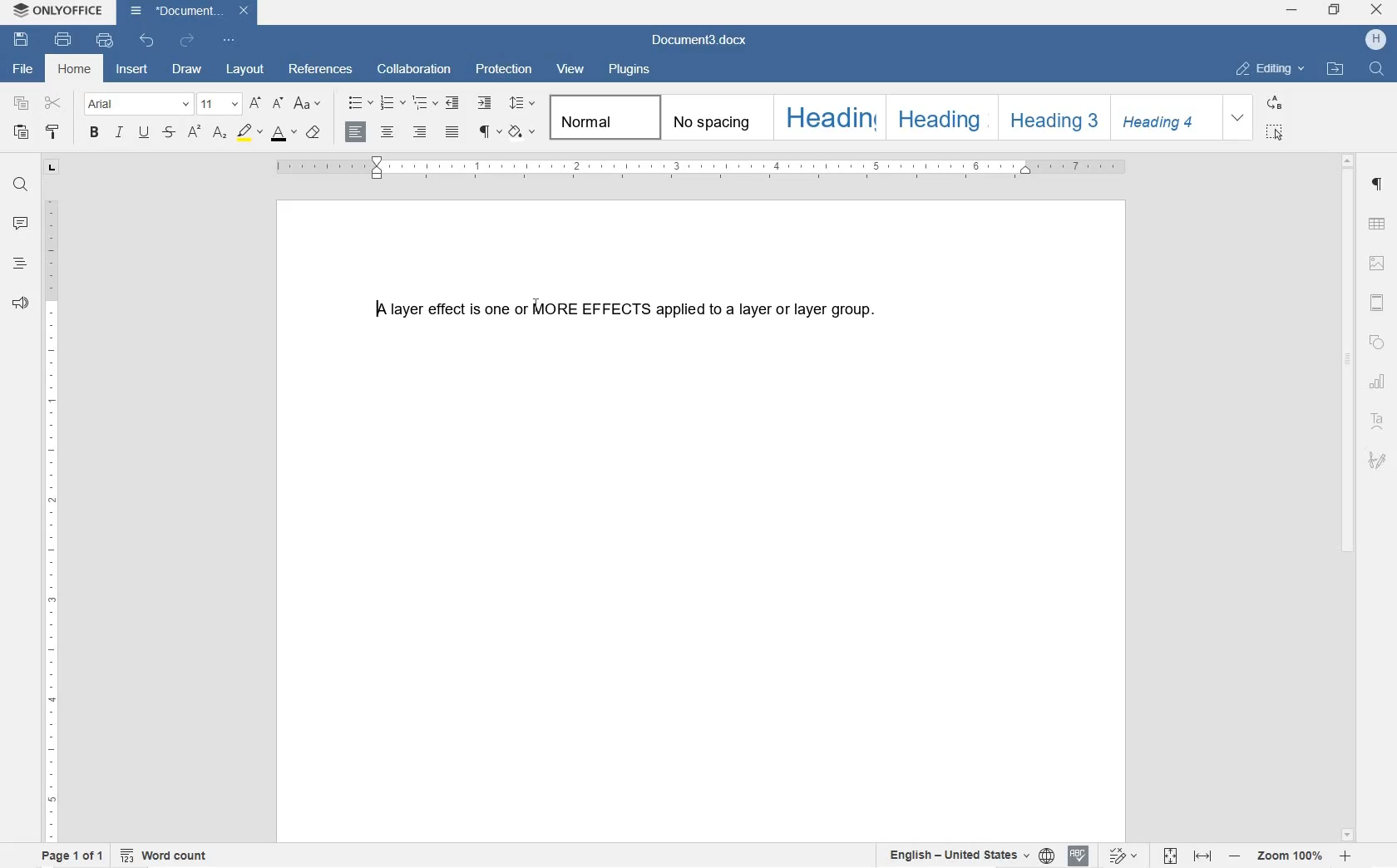 The width and height of the screenshot is (1397, 868). I want to click on COLLABORATION, so click(414, 68).